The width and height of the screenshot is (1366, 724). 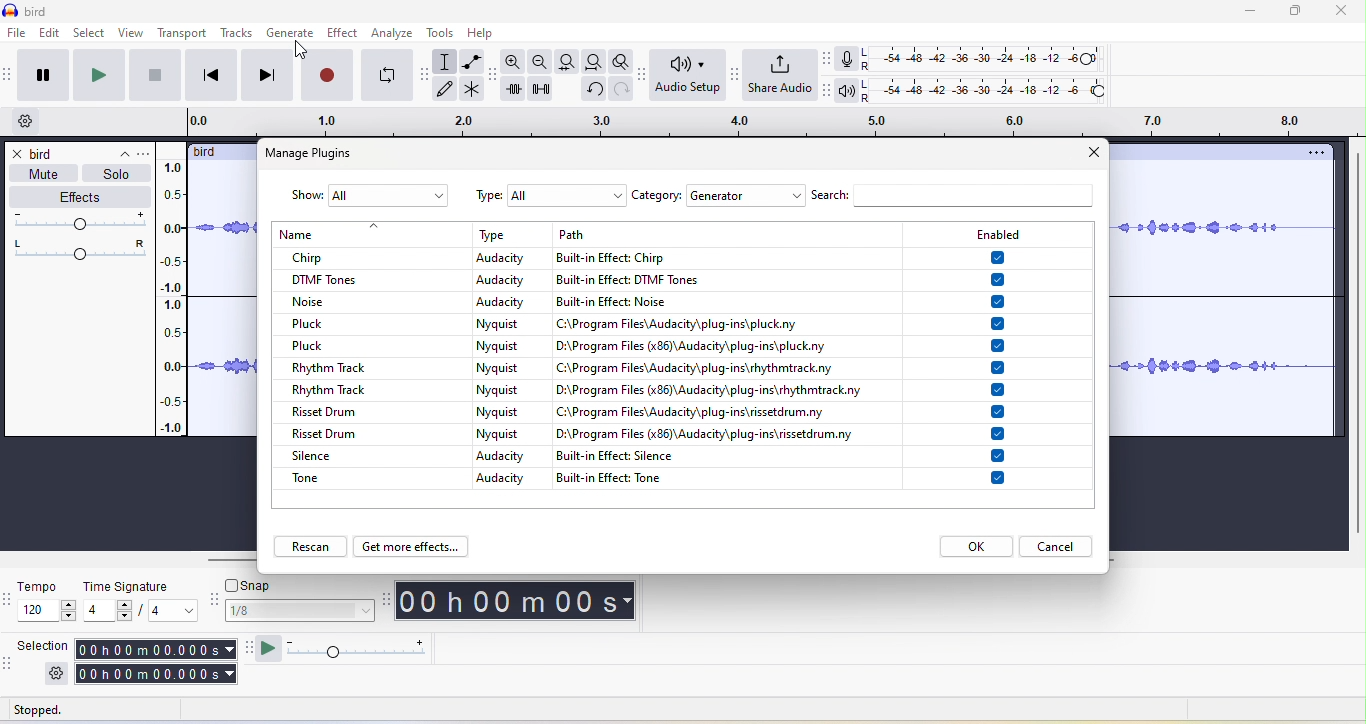 What do you see at coordinates (497, 79) in the screenshot?
I see `audacity edit toolbar` at bounding box center [497, 79].